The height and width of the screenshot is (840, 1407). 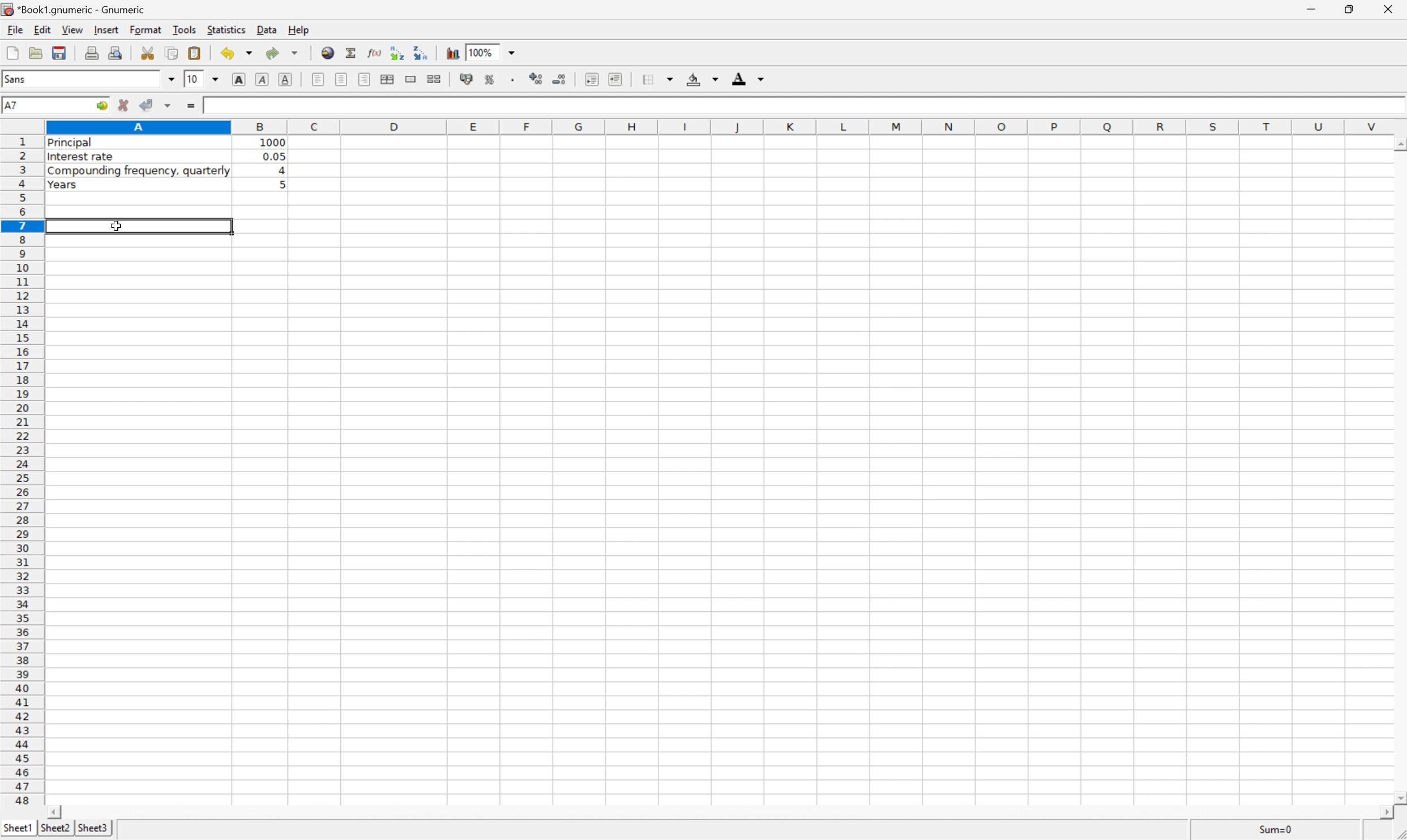 What do you see at coordinates (93, 827) in the screenshot?
I see `sheet3` at bounding box center [93, 827].